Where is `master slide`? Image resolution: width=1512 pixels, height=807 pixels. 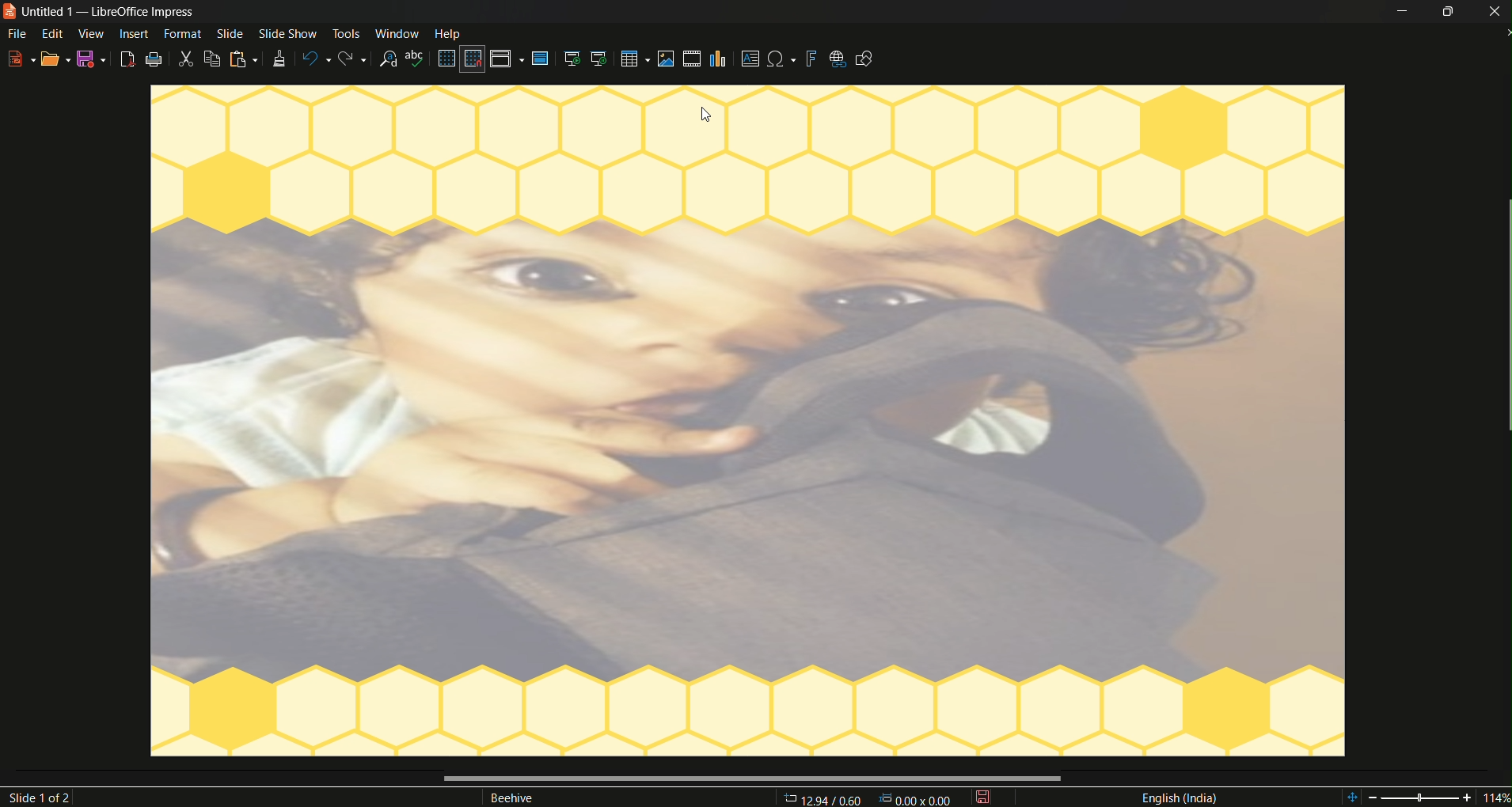
master slide is located at coordinates (543, 59).